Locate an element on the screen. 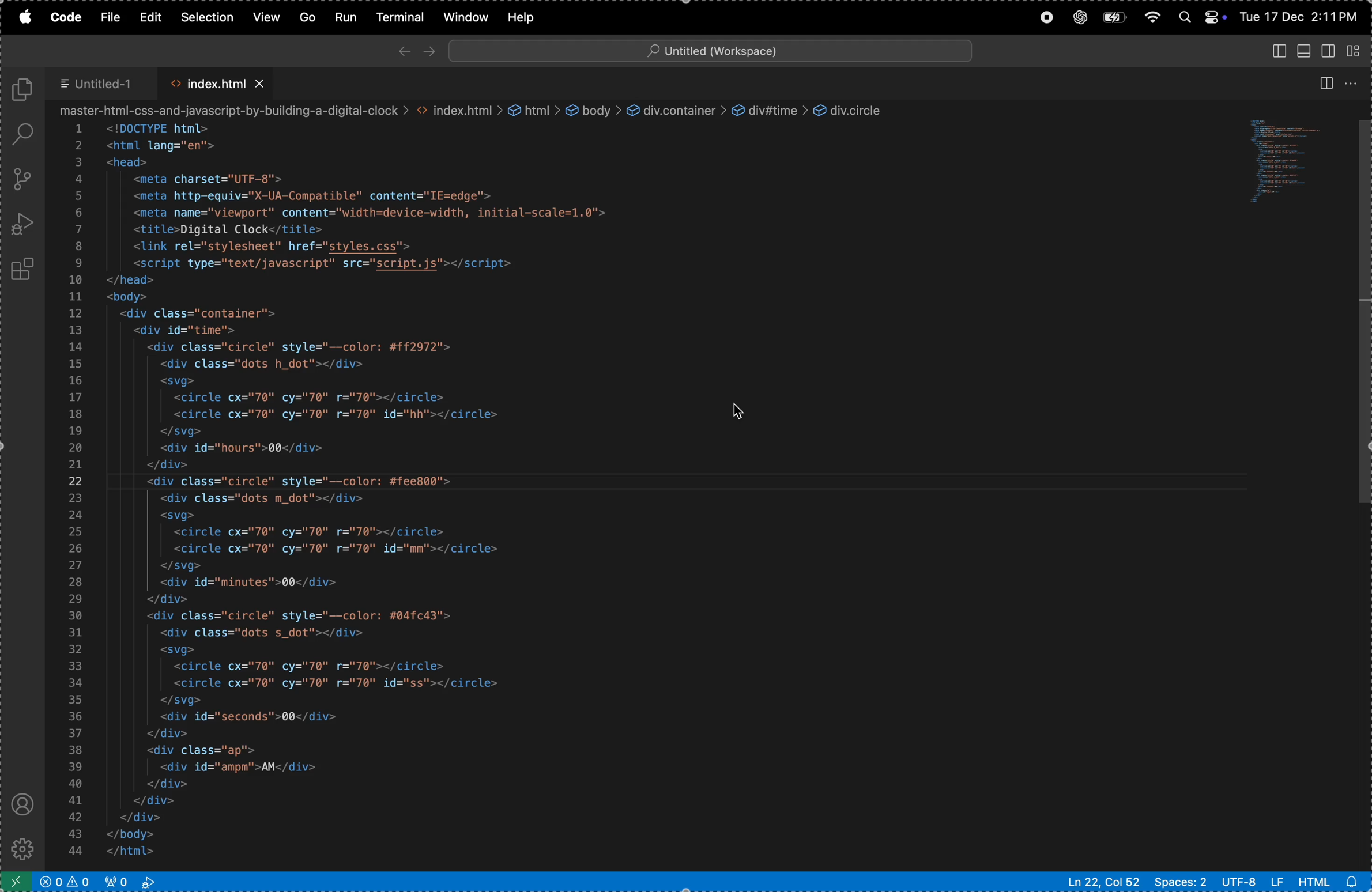 The width and height of the screenshot is (1372, 892). code window  is located at coordinates (1295, 160).